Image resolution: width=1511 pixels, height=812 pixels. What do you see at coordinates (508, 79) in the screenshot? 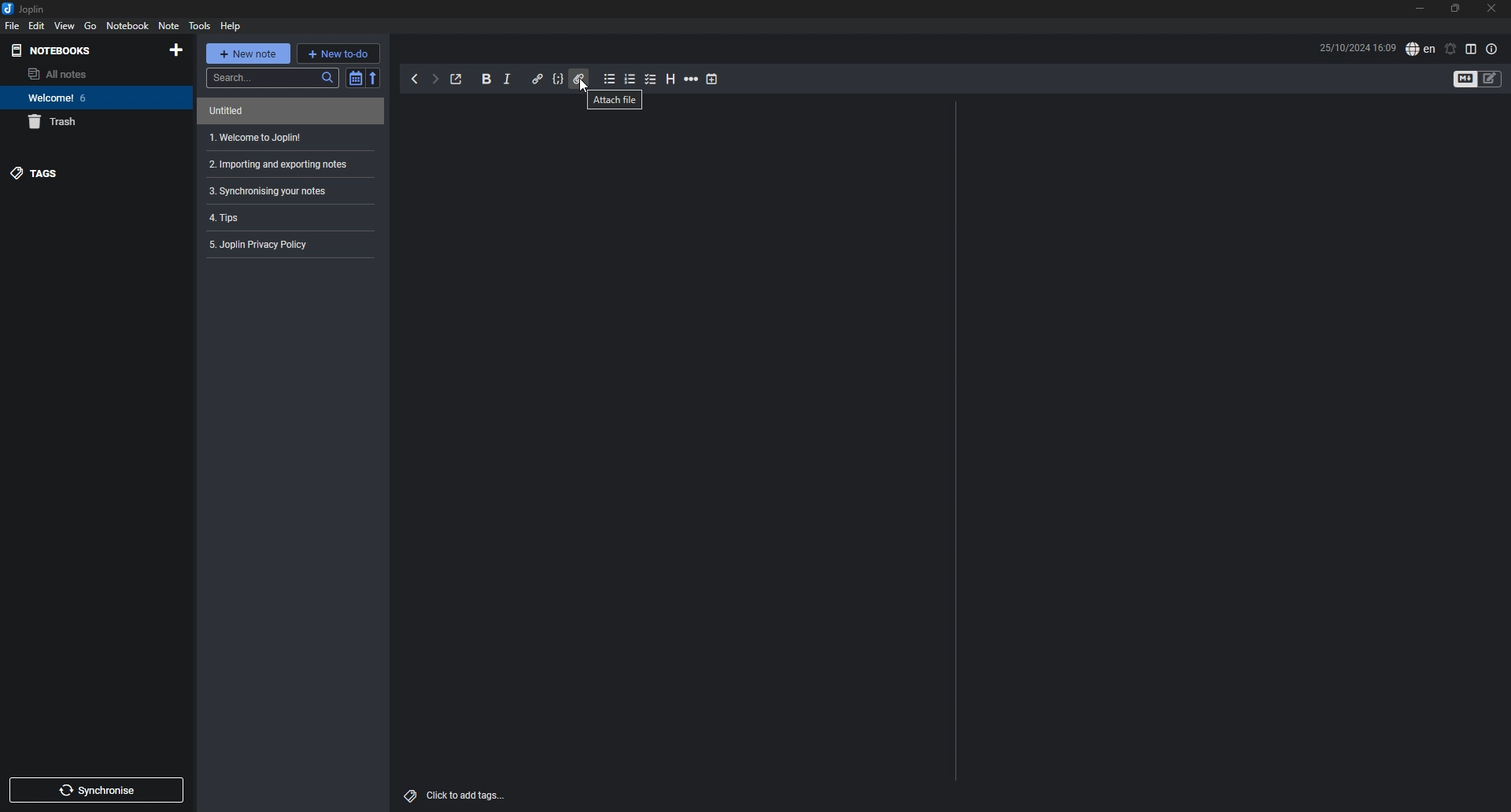
I see `insert` at bounding box center [508, 79].